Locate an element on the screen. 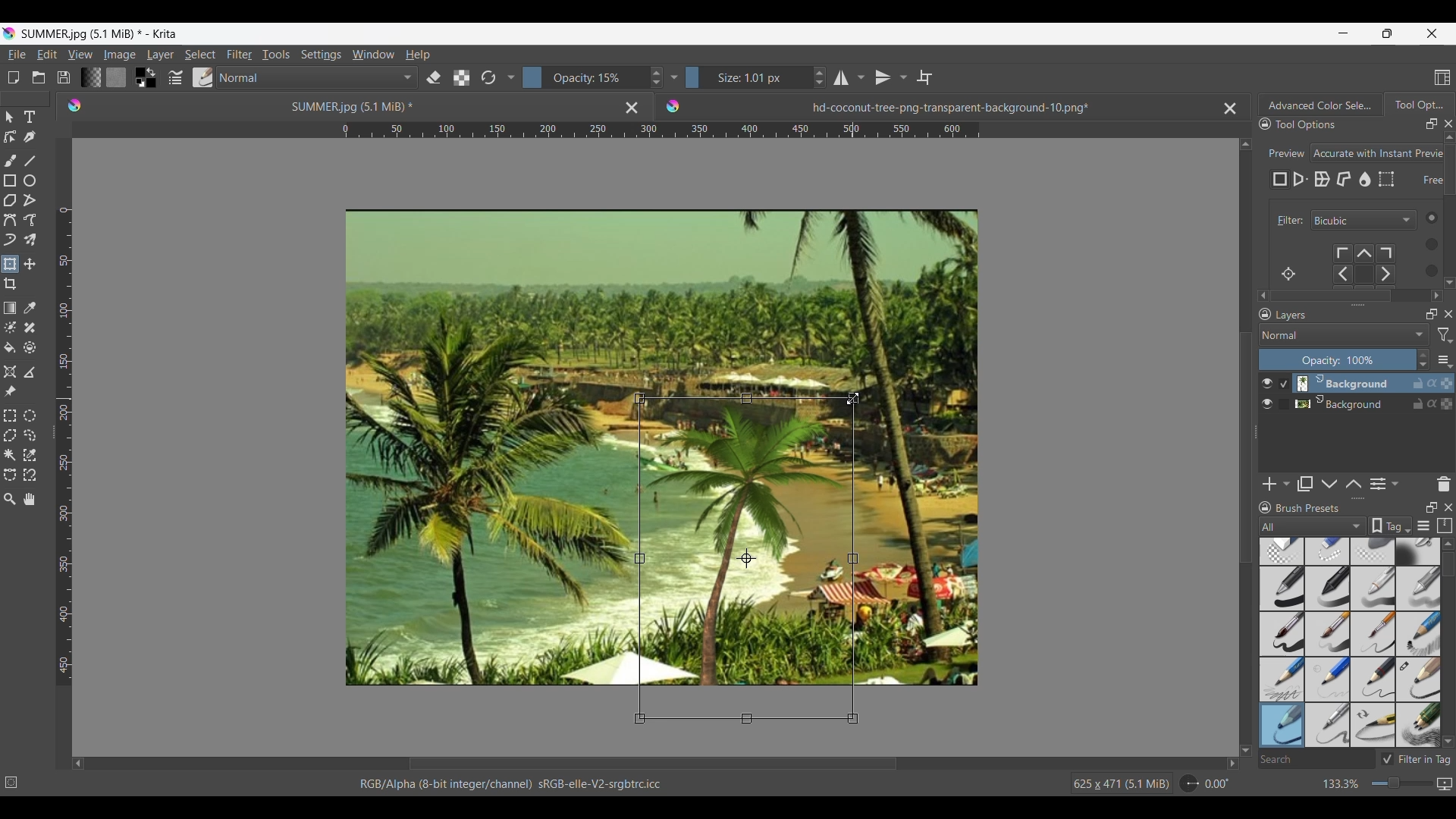 This screenshot has width=1456, height=819. Freehand path tool is located at coordinates (29, 220).